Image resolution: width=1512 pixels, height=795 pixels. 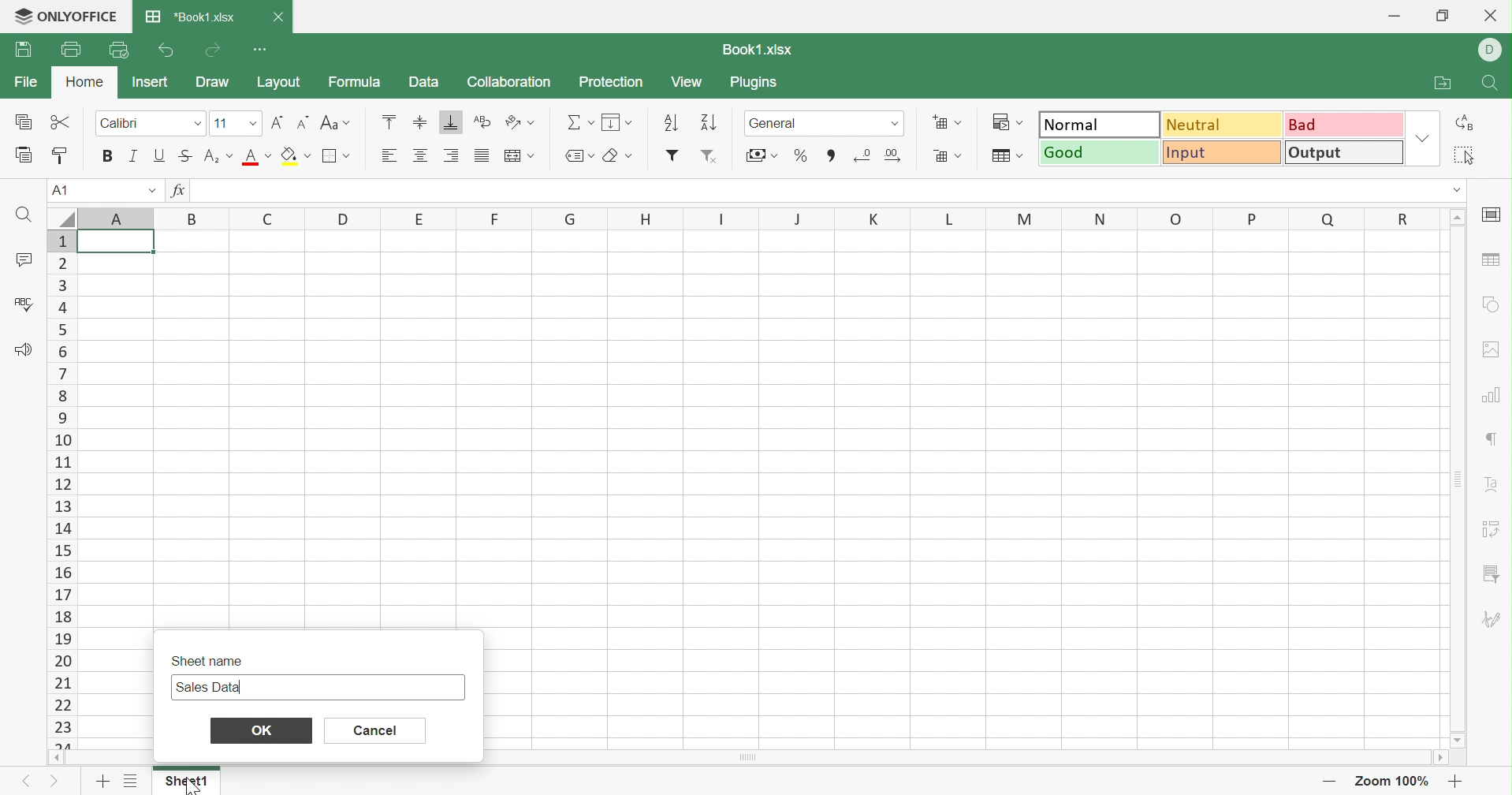 I want to click on Book.xlsx, so click(x=190, y=15).